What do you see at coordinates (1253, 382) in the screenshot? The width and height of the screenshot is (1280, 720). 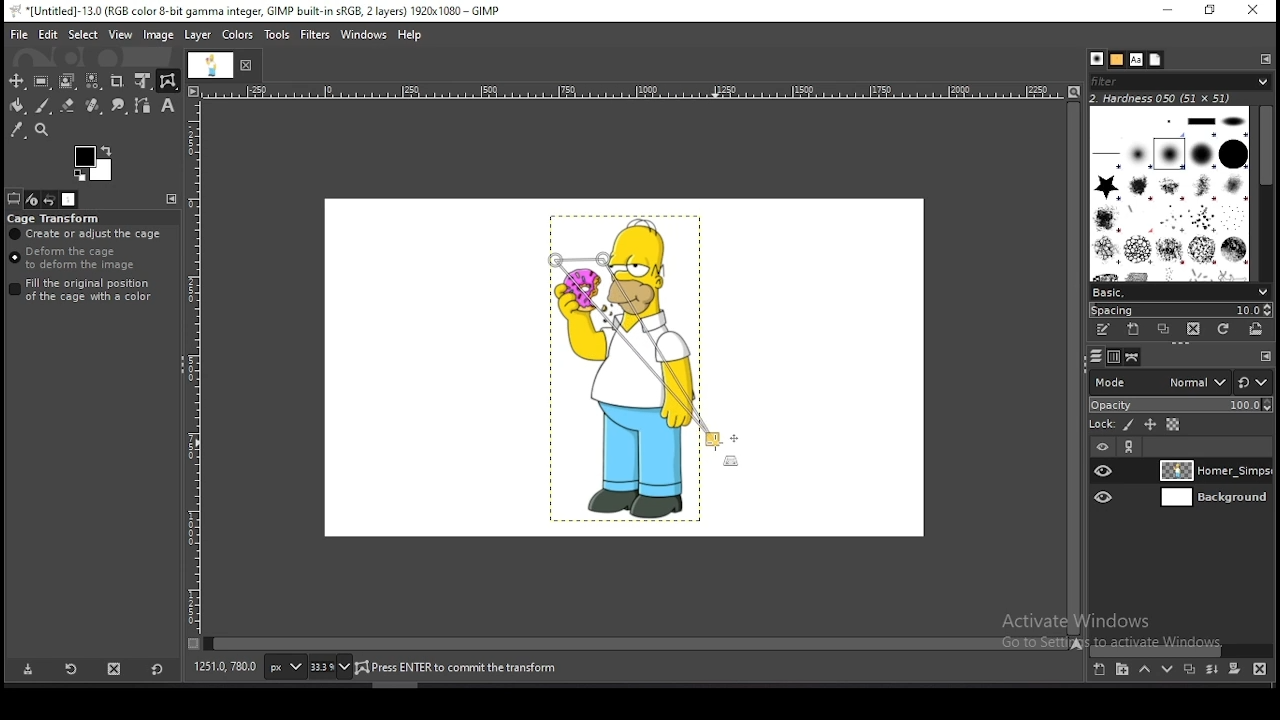 I see `rest` at bounding box center [1253, 382].